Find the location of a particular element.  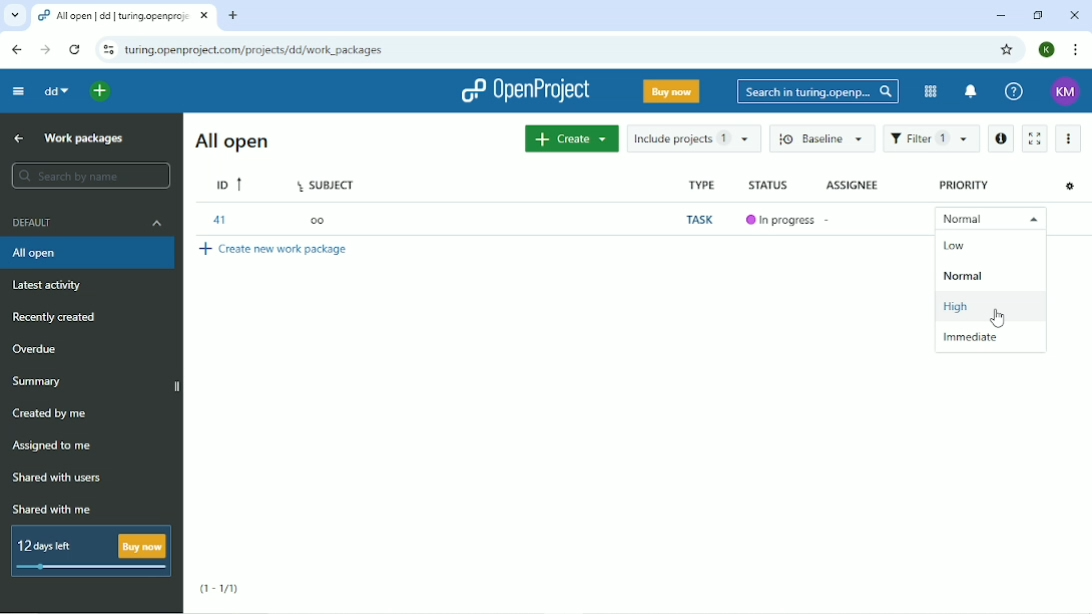

Collapse project menu is located at coordinates (20, 91).